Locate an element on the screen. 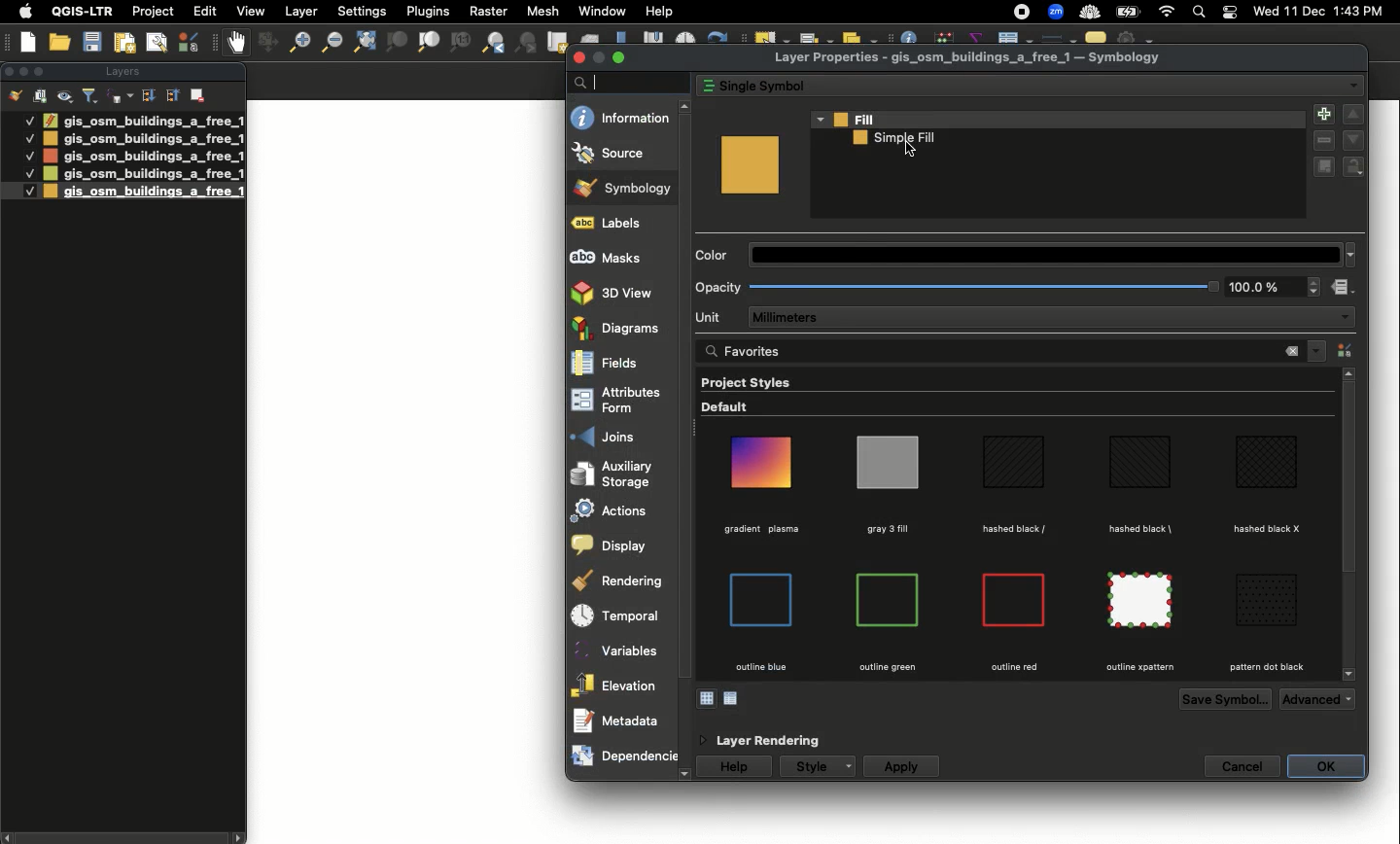  Color is located at coordinates (750, 164).